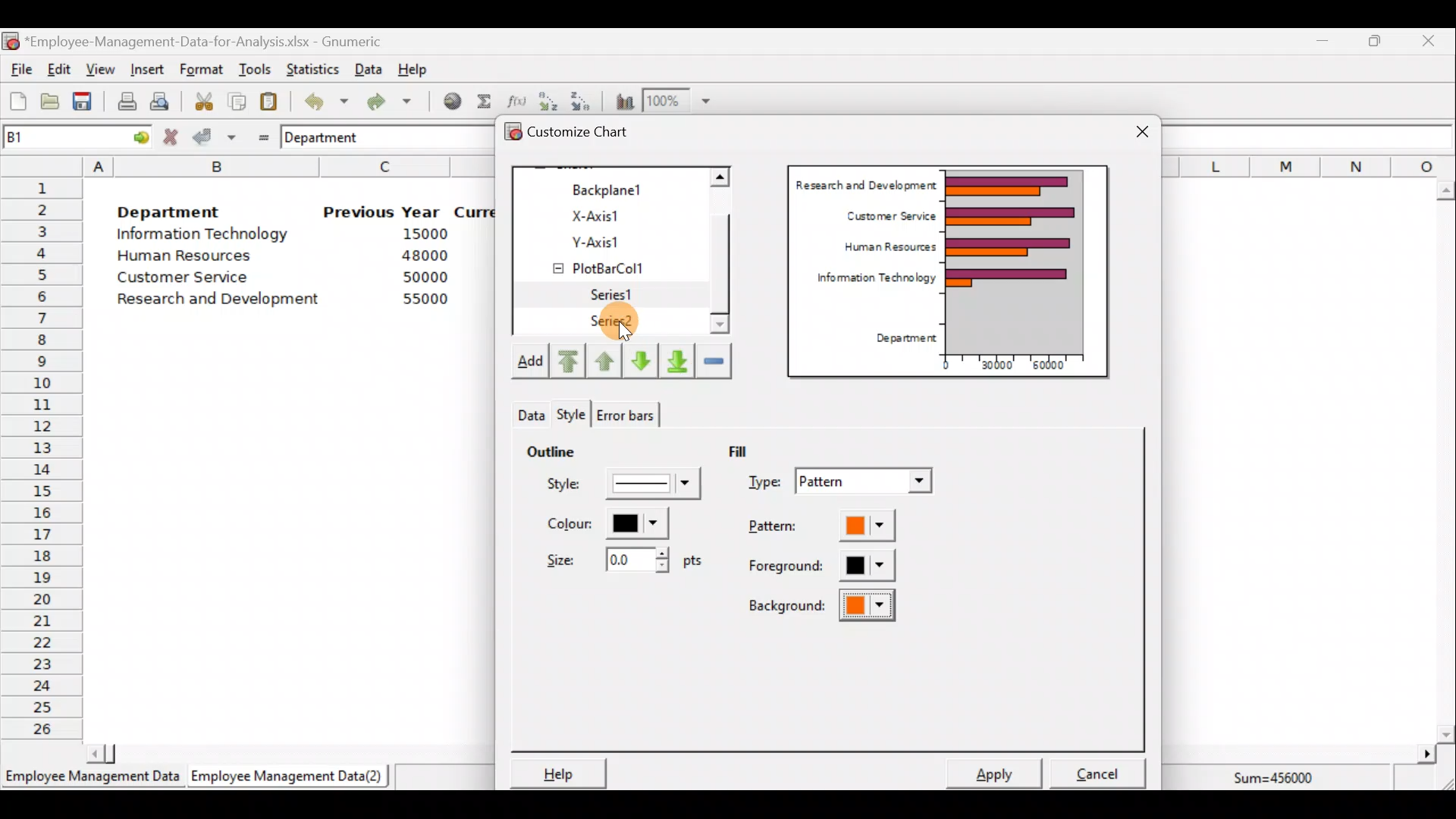 Image resolution: width=1456 pixels, height=819 pixels. I want to click on Insert hyperlink, so click(447, 100).